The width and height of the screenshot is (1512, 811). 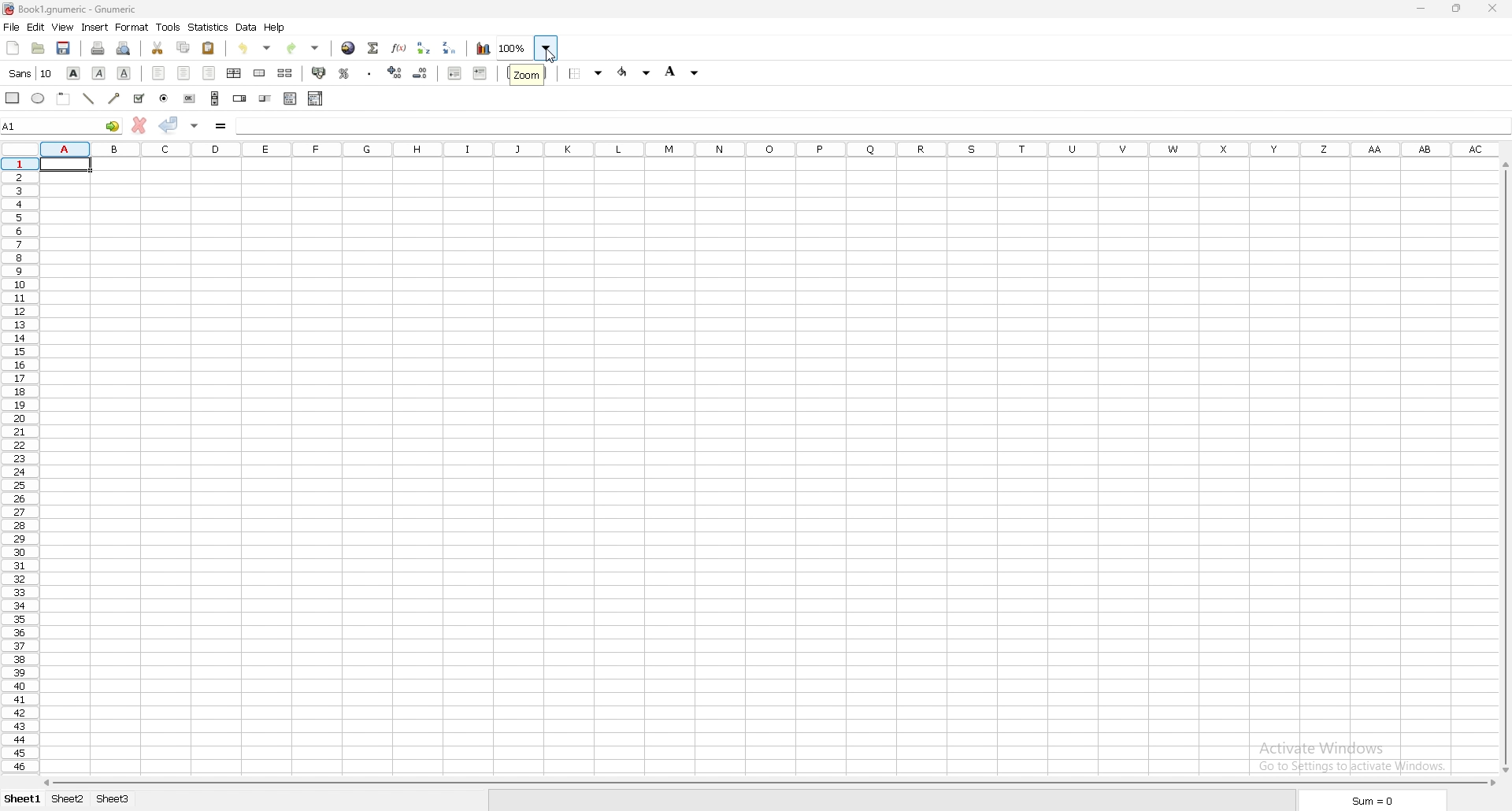 What do you see at coordinates (64, 47) in the screenshot?
I see `save` at bounding box center [64, 47].